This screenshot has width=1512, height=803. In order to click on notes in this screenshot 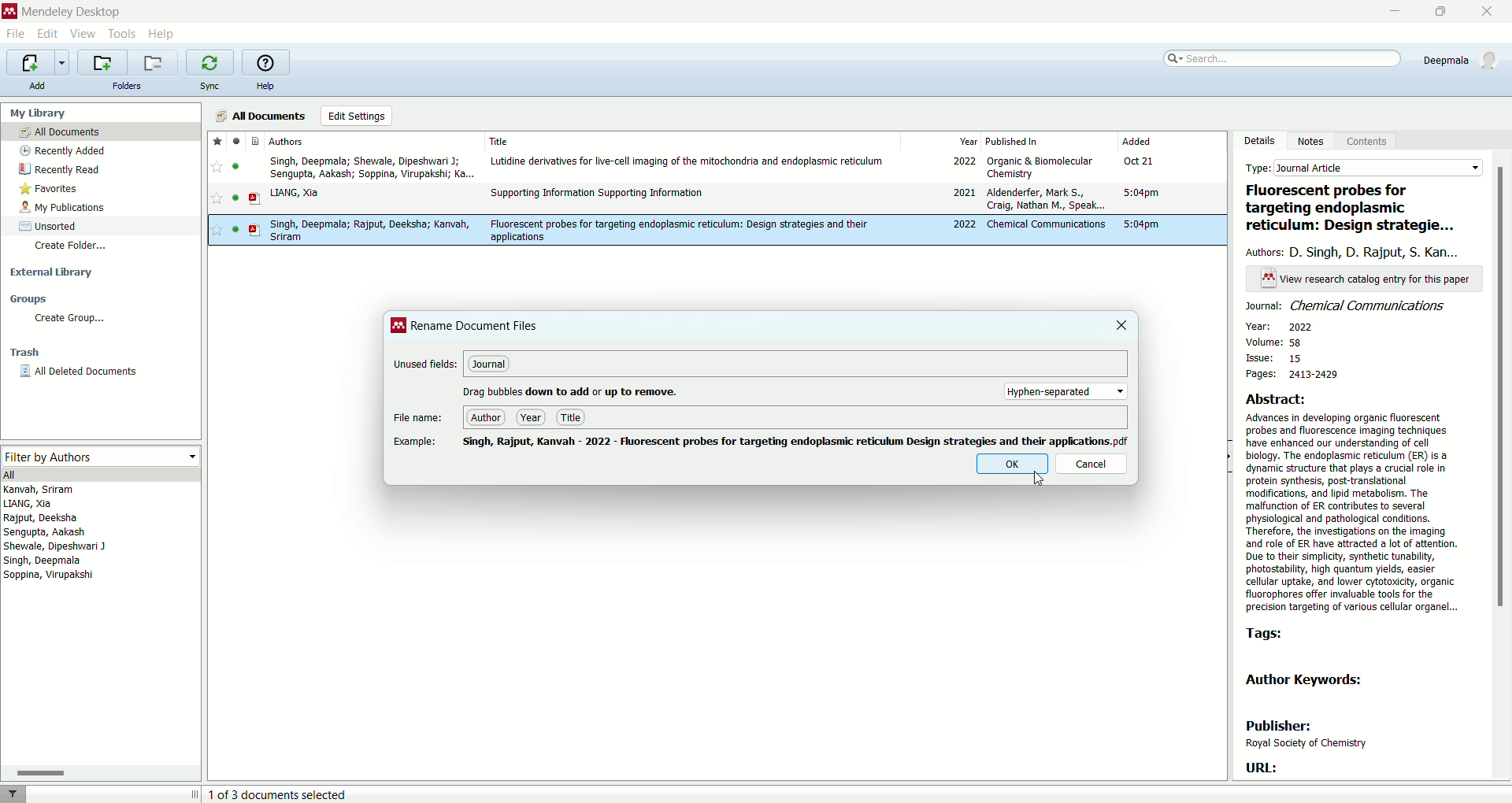, I will do `click(1314, 142)`.